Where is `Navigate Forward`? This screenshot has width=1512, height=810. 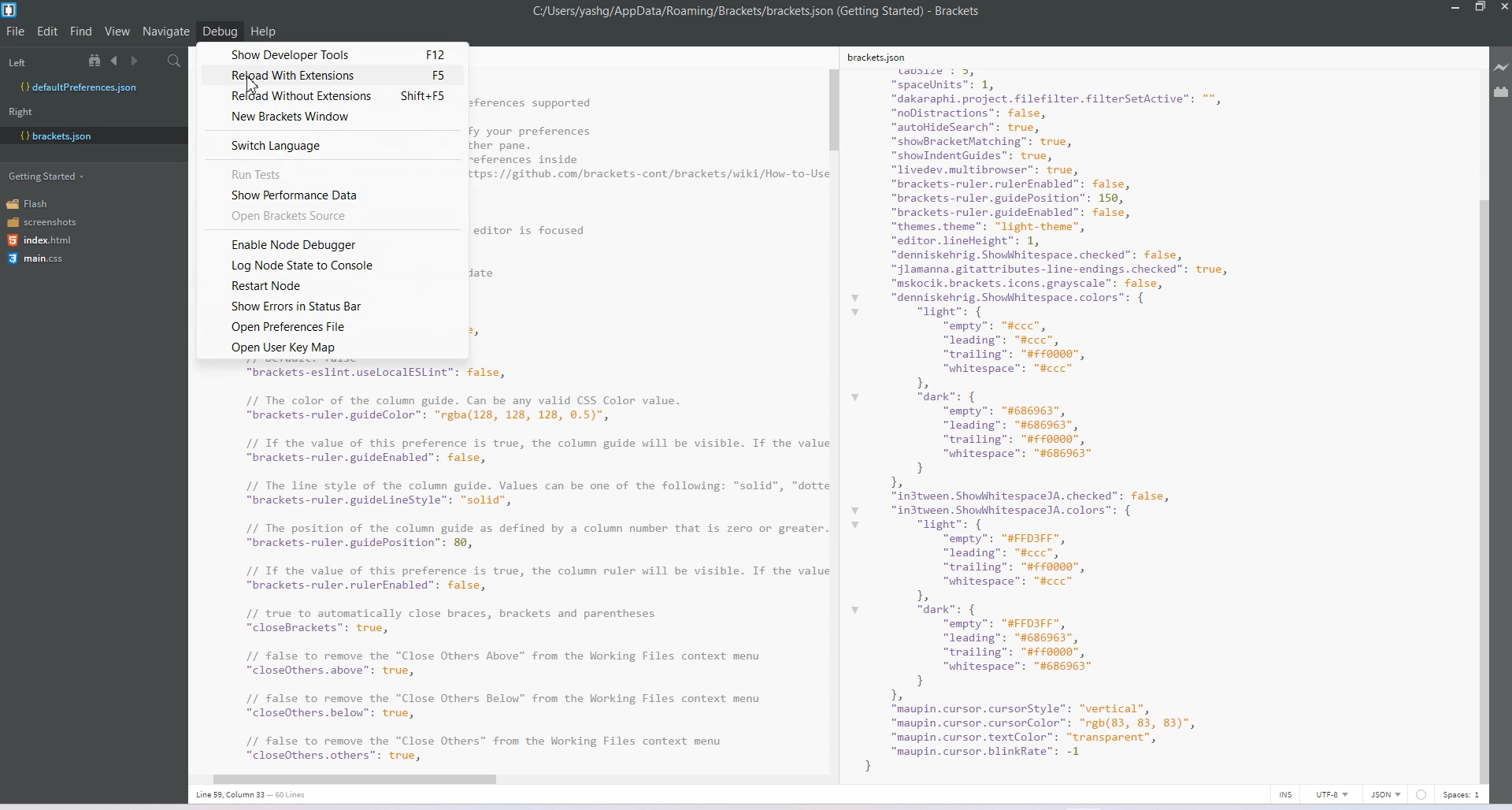 Navigate Forward is located at coordinates (136, 61).